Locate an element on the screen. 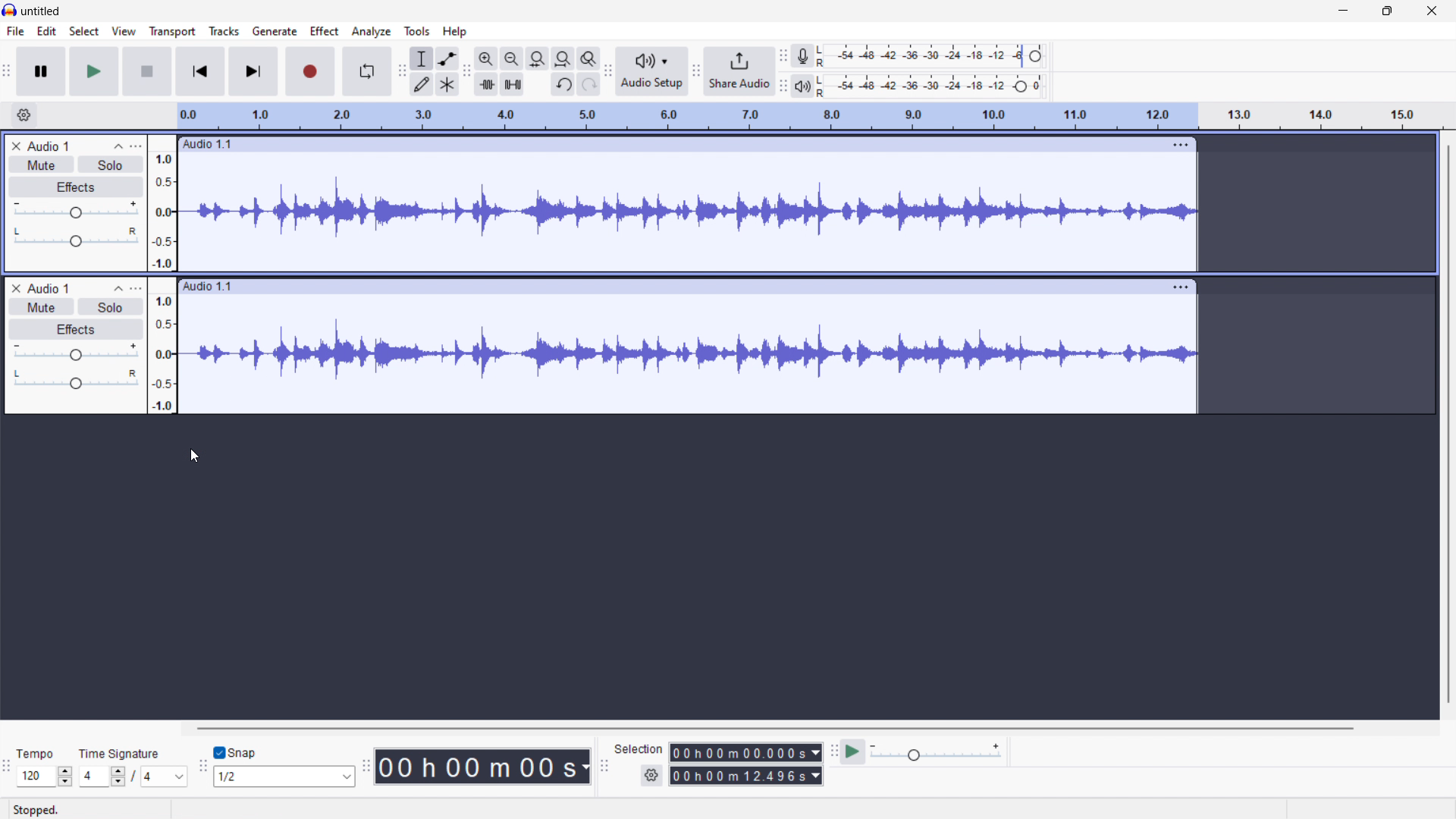  redo is located at coordinates (588, 84).